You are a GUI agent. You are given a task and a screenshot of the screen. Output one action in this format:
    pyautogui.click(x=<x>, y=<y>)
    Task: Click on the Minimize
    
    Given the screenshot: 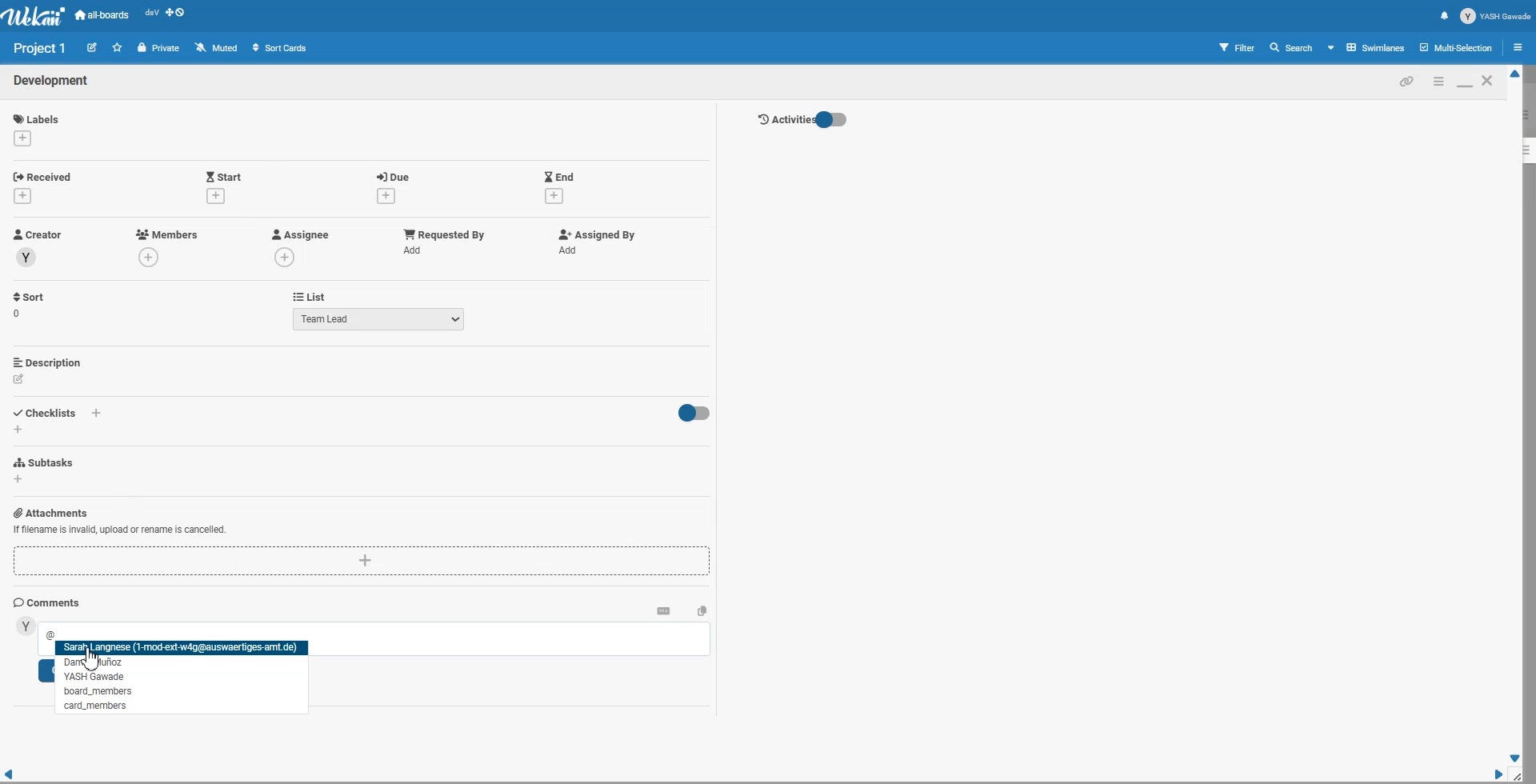 What is the action you would take?
    pyautogui.click(x=1438, y=81)
    